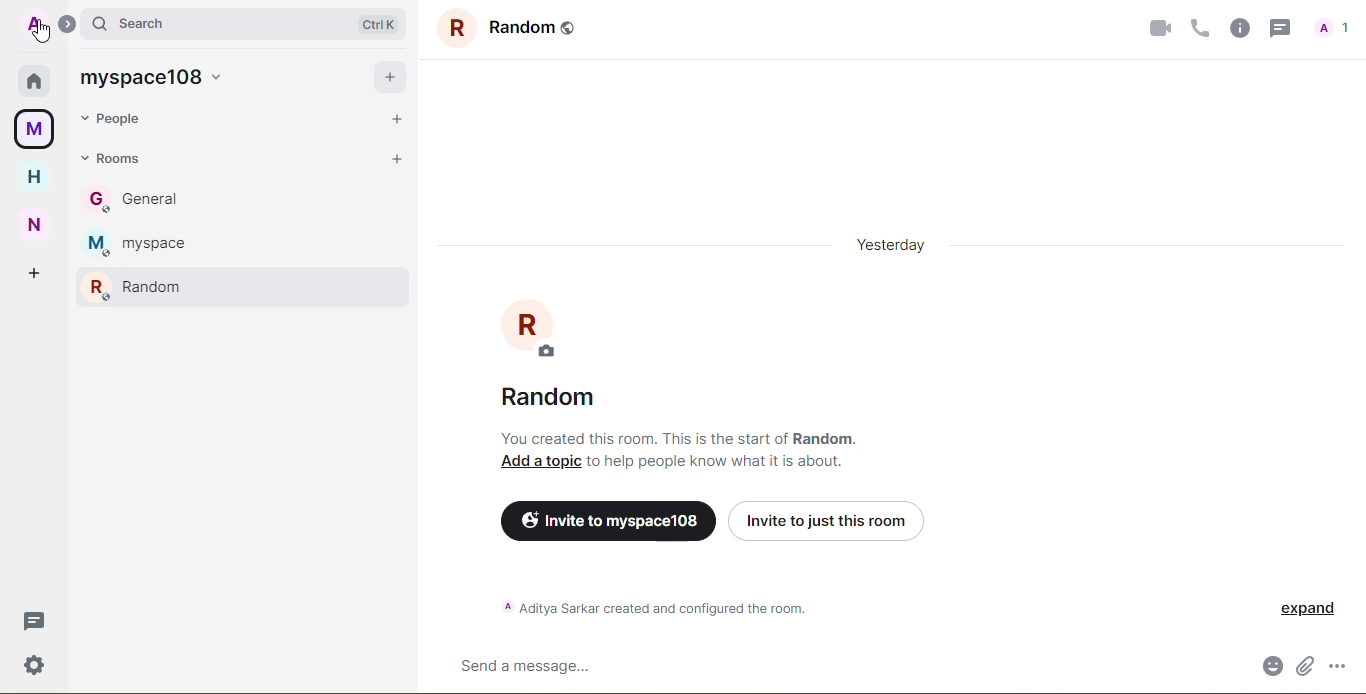  Describe the element at coordinates (35, 177) in the screenshot. I see `home` at that location.